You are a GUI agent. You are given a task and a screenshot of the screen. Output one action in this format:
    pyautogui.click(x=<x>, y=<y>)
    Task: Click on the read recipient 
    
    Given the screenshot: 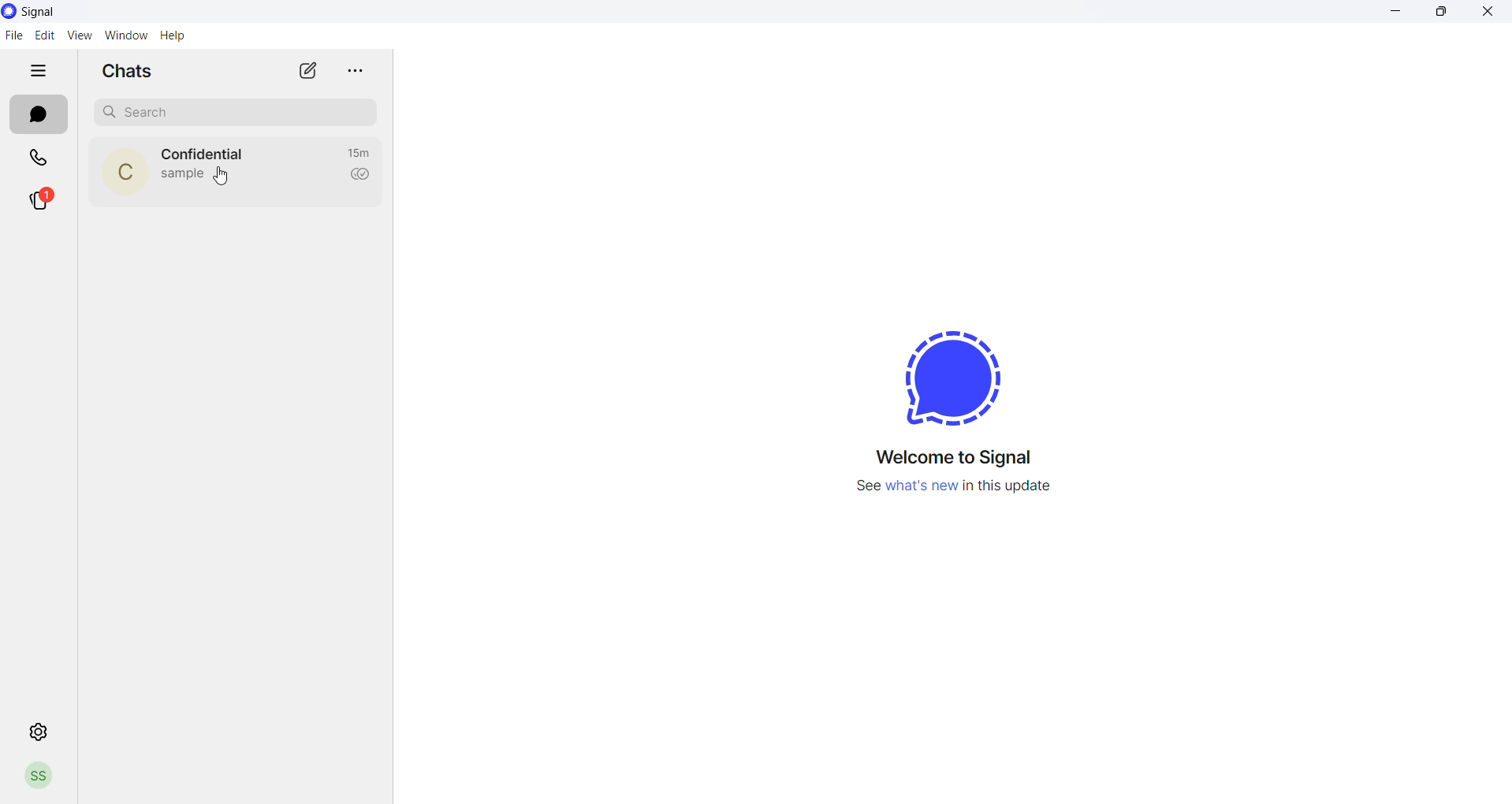 What is the action you would take?
    pyautogui.click(x=362, y=175)
    